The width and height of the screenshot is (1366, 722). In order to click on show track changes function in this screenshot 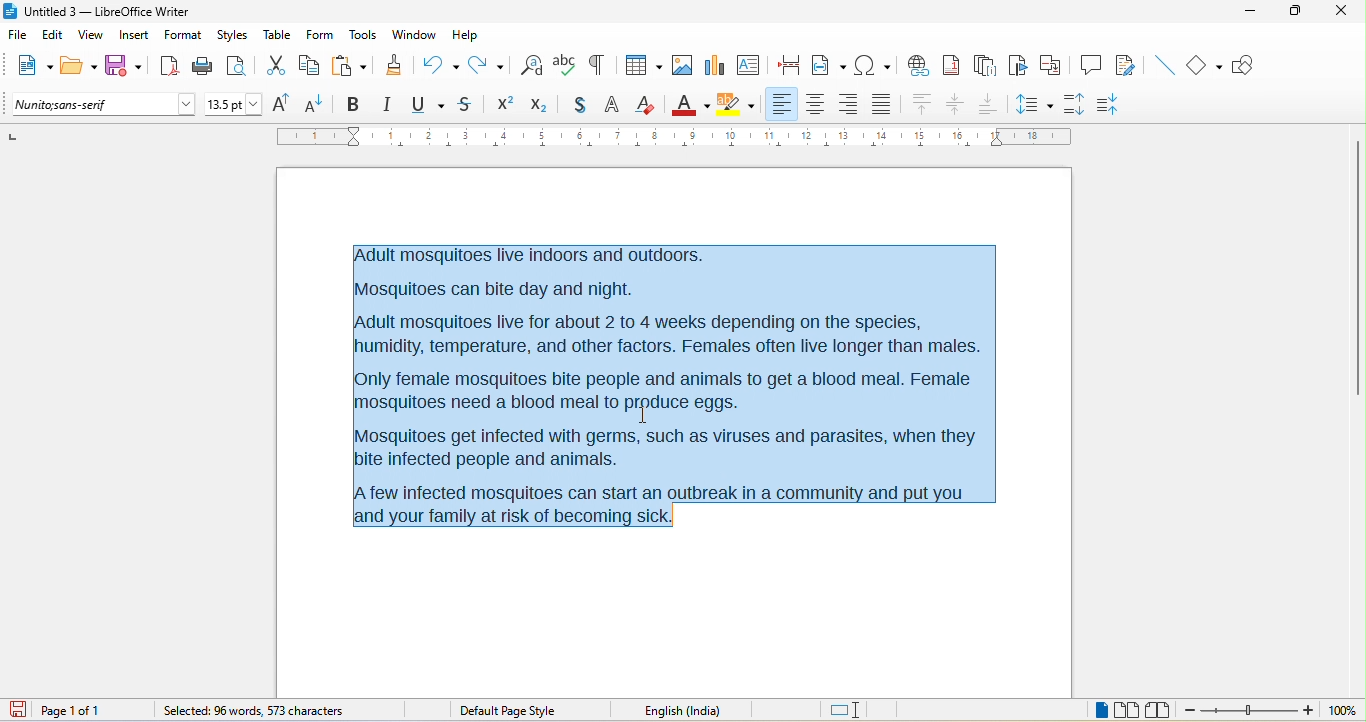, I will do `click(1127, 64)`.